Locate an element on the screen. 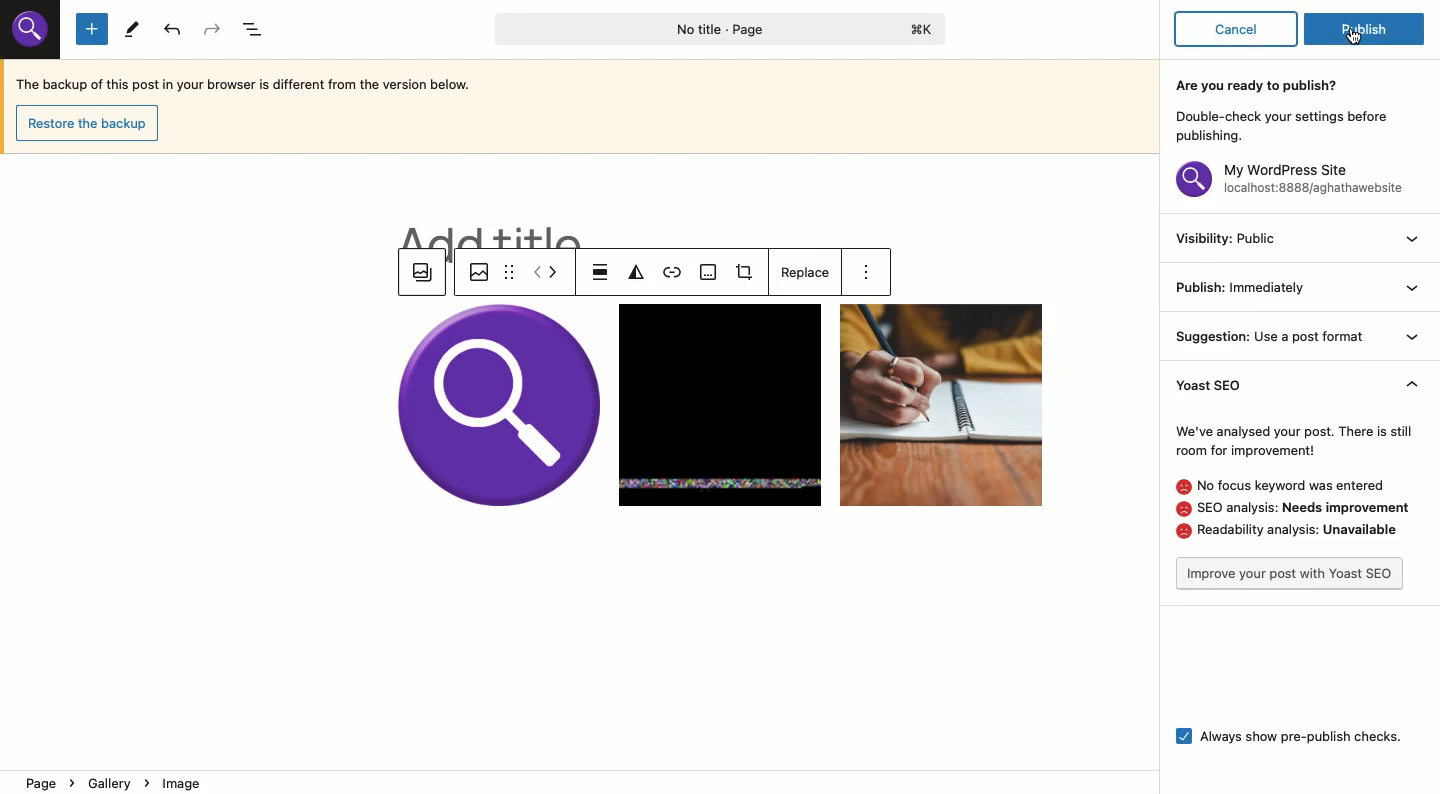 The height and width of the screenshot is (794, 1440). Undo is located at coordinates (174, 31).